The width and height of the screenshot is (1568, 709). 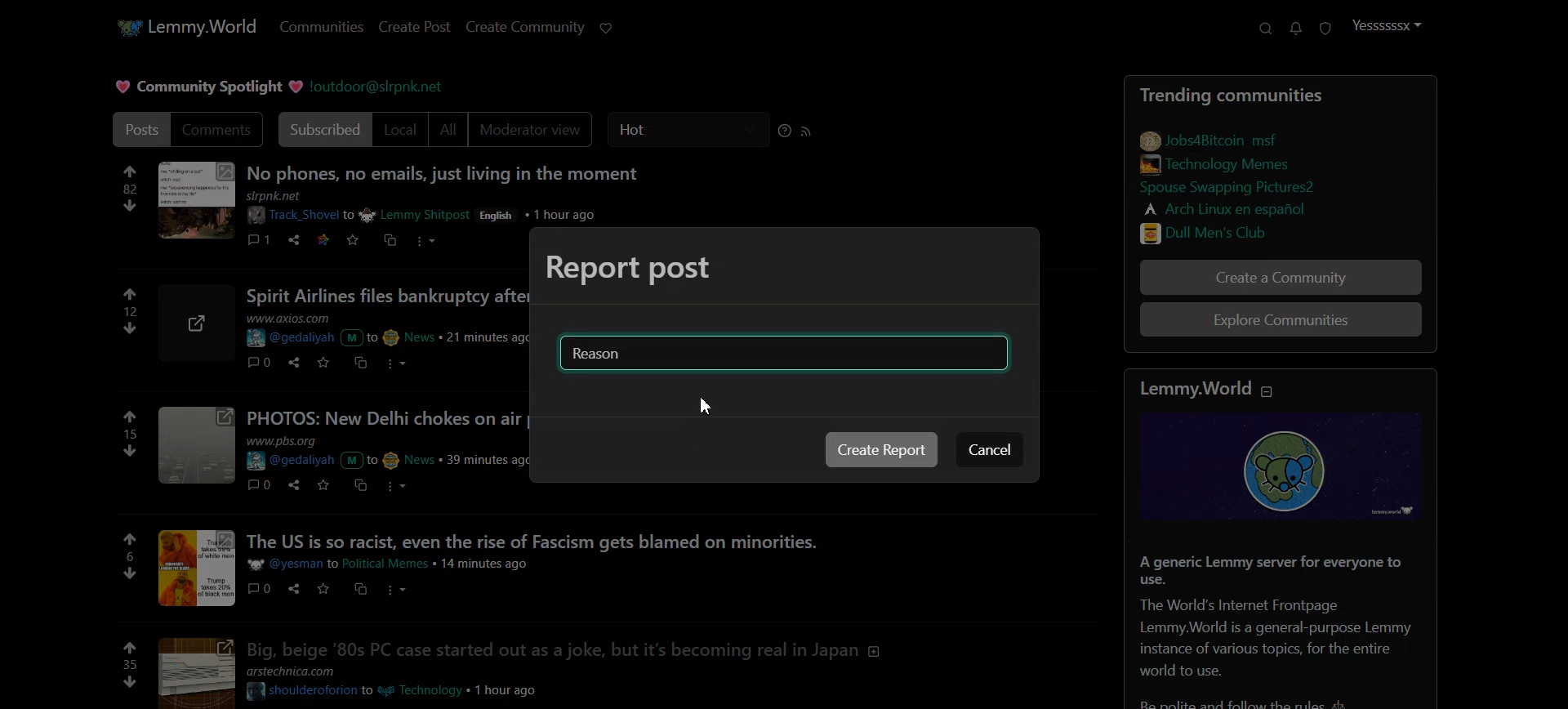 I want to click on save, so click(x=323, y=589).